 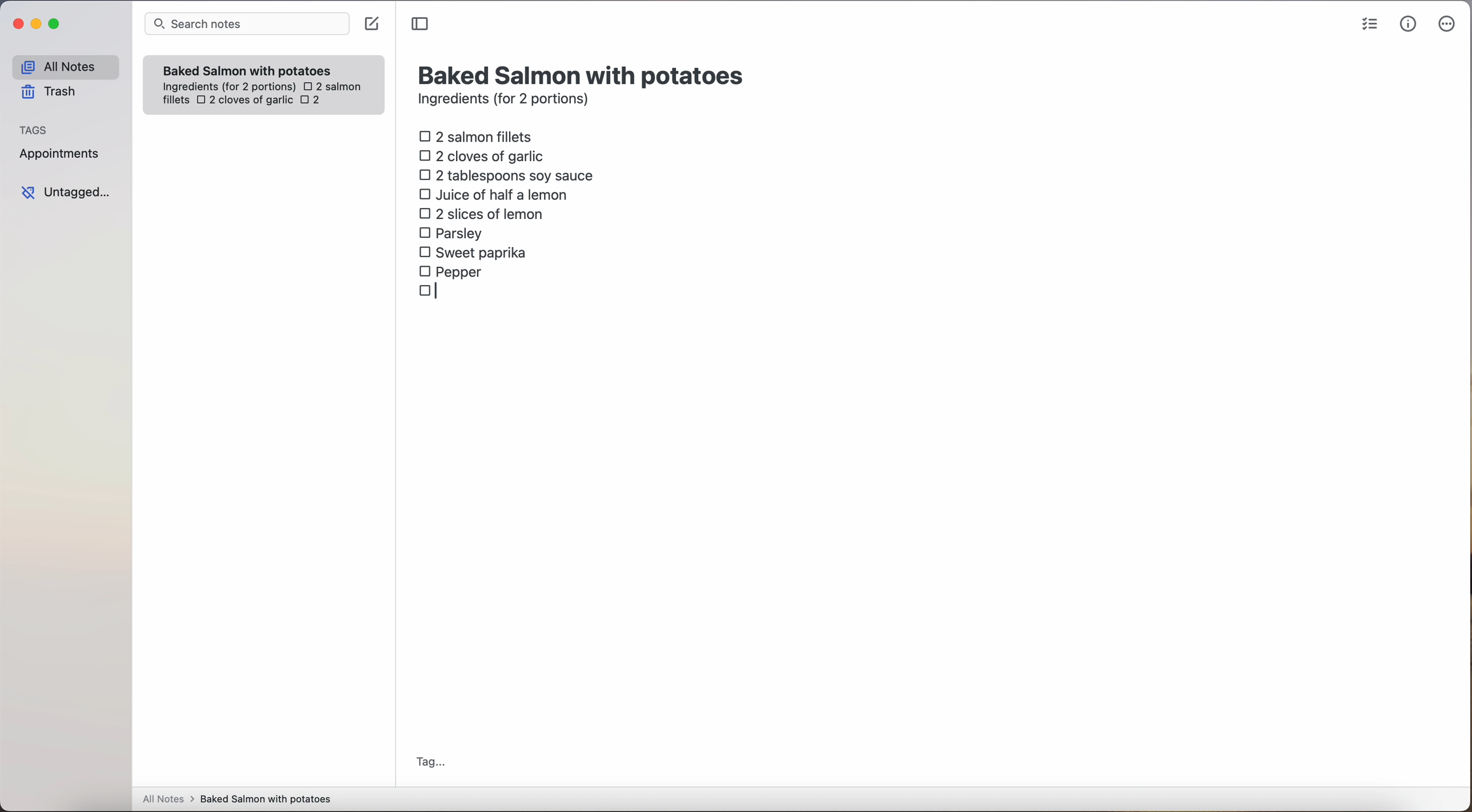 I want to click on toggle sidebar, so click(x=421, y=25).